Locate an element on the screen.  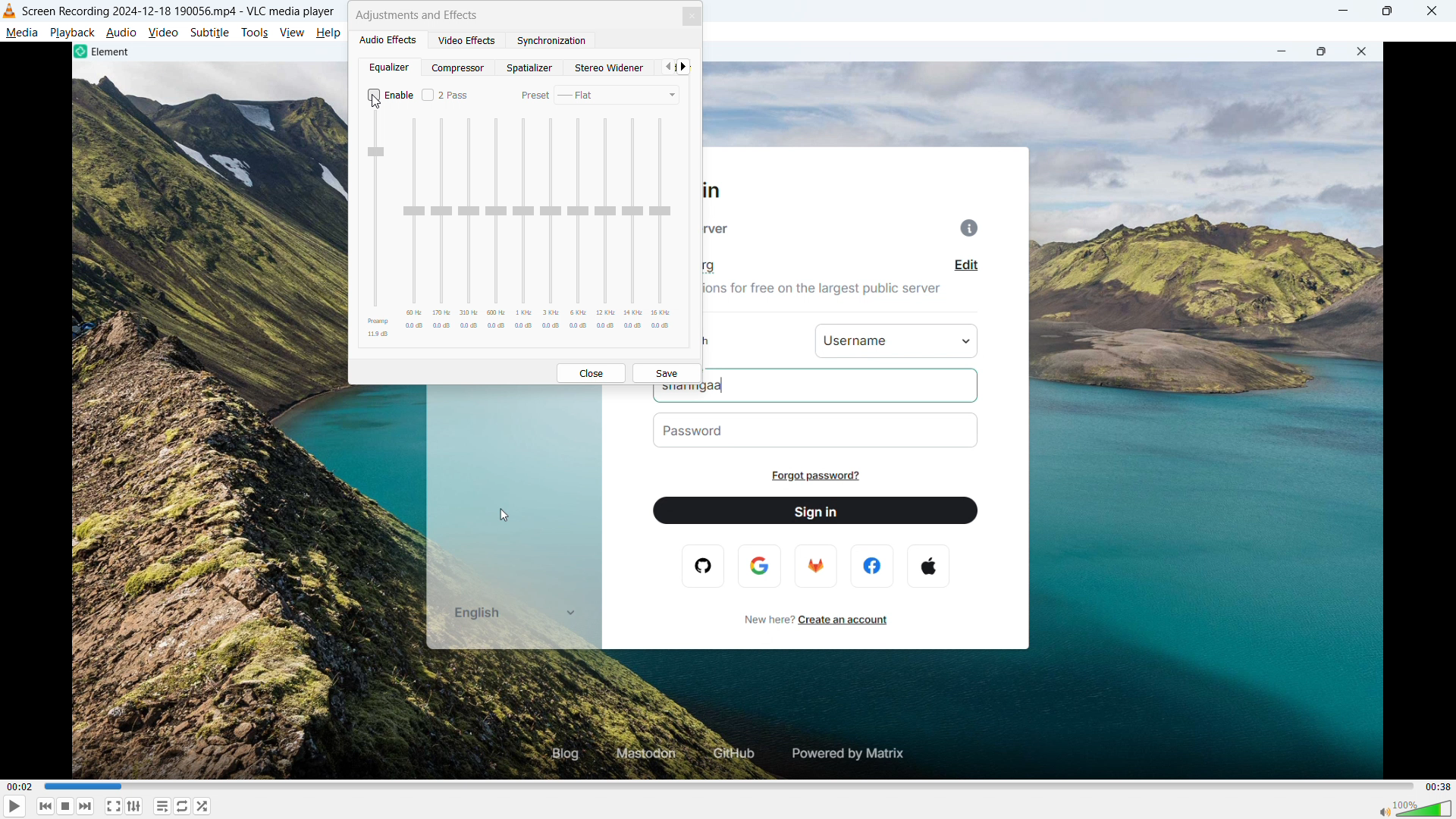
Enable or disable 2 pass is located at coordinates (447, 95).